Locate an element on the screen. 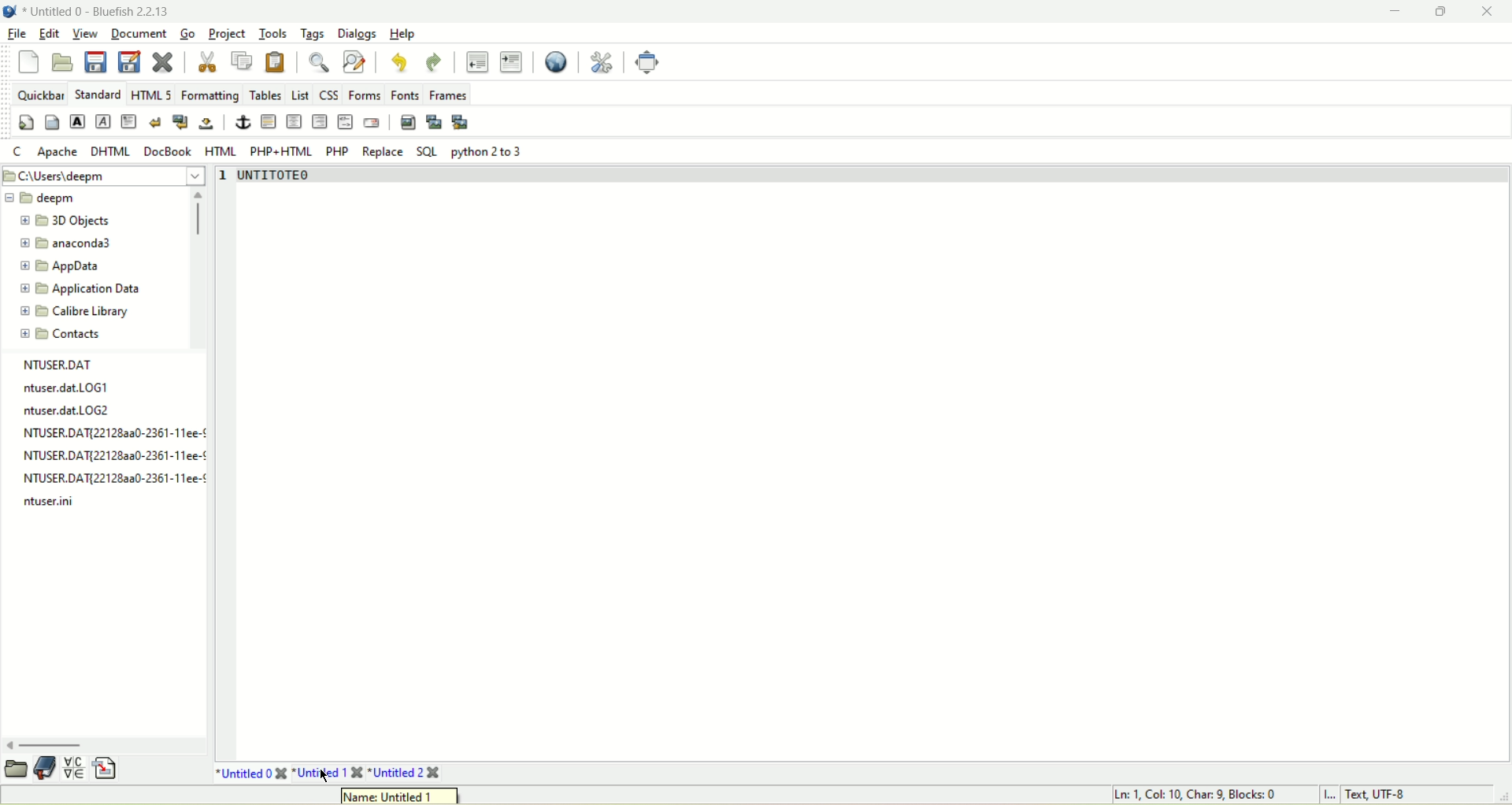 Image resolution: width=1512 pixels, height=805 pixels. save current file is located at coordinates (95, 64).